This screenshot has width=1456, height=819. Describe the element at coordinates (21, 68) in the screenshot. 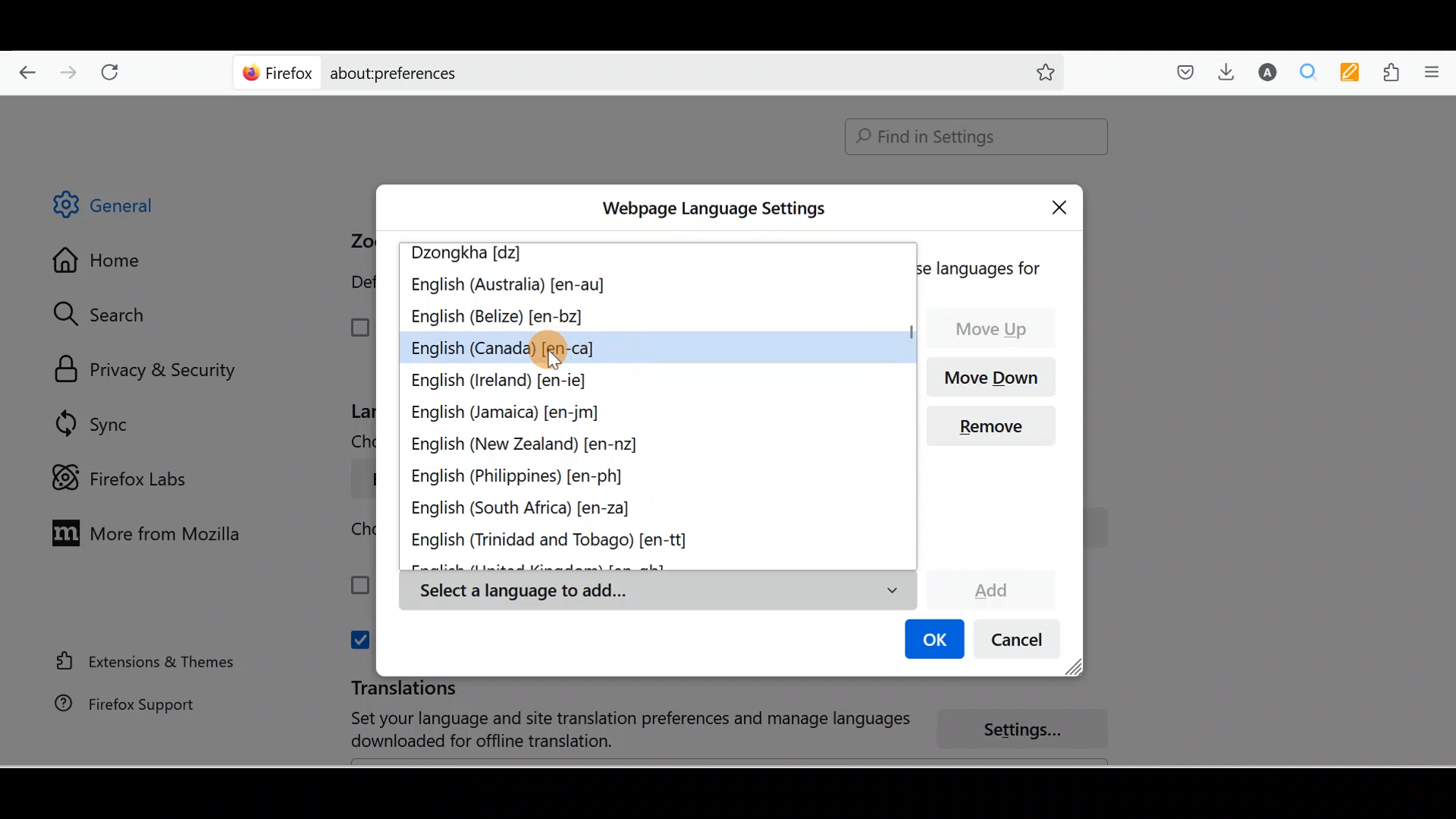

I see `Go back one page` at that location.